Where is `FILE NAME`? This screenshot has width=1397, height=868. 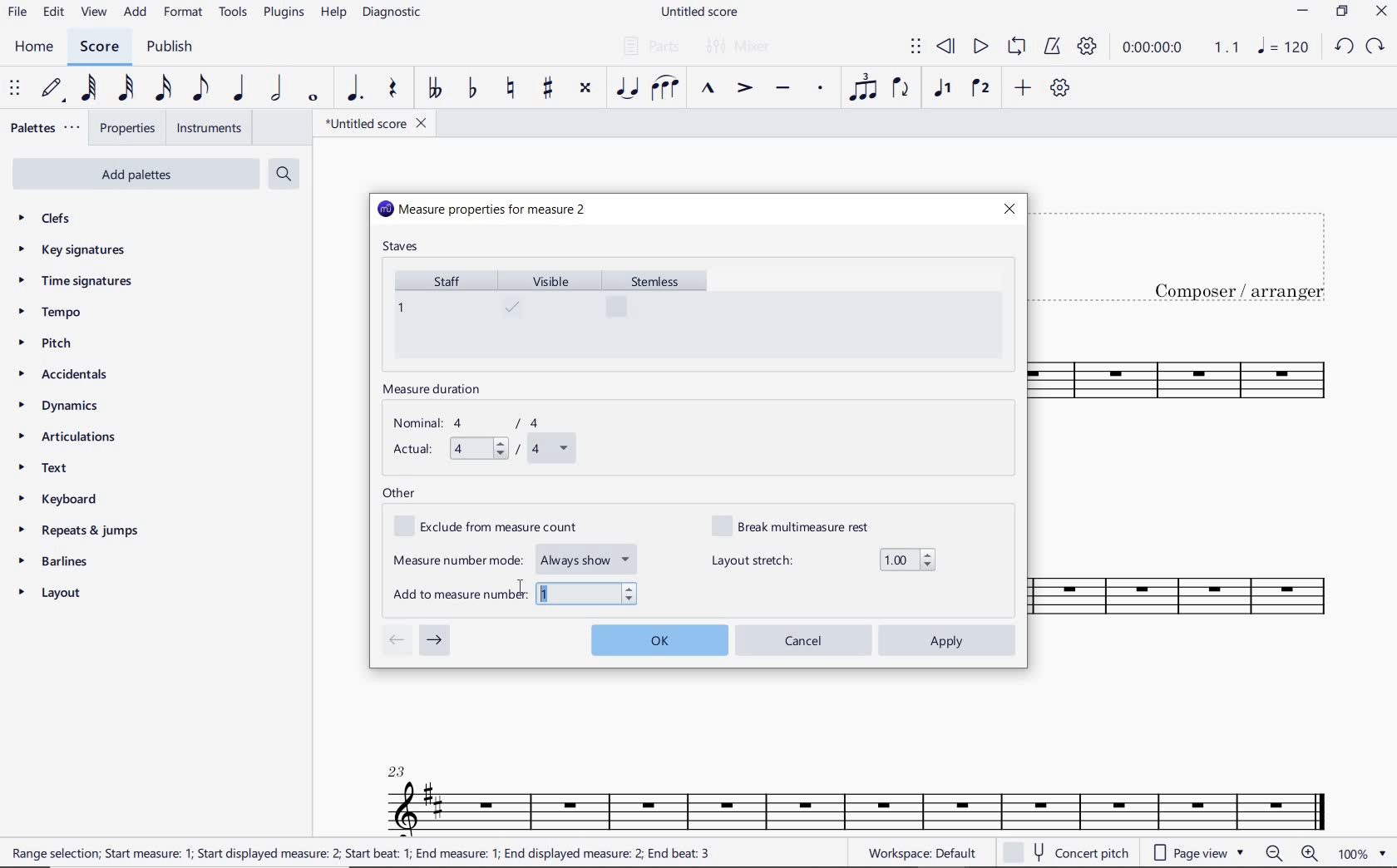 FILE NAME is located at coordinates (375, 123).